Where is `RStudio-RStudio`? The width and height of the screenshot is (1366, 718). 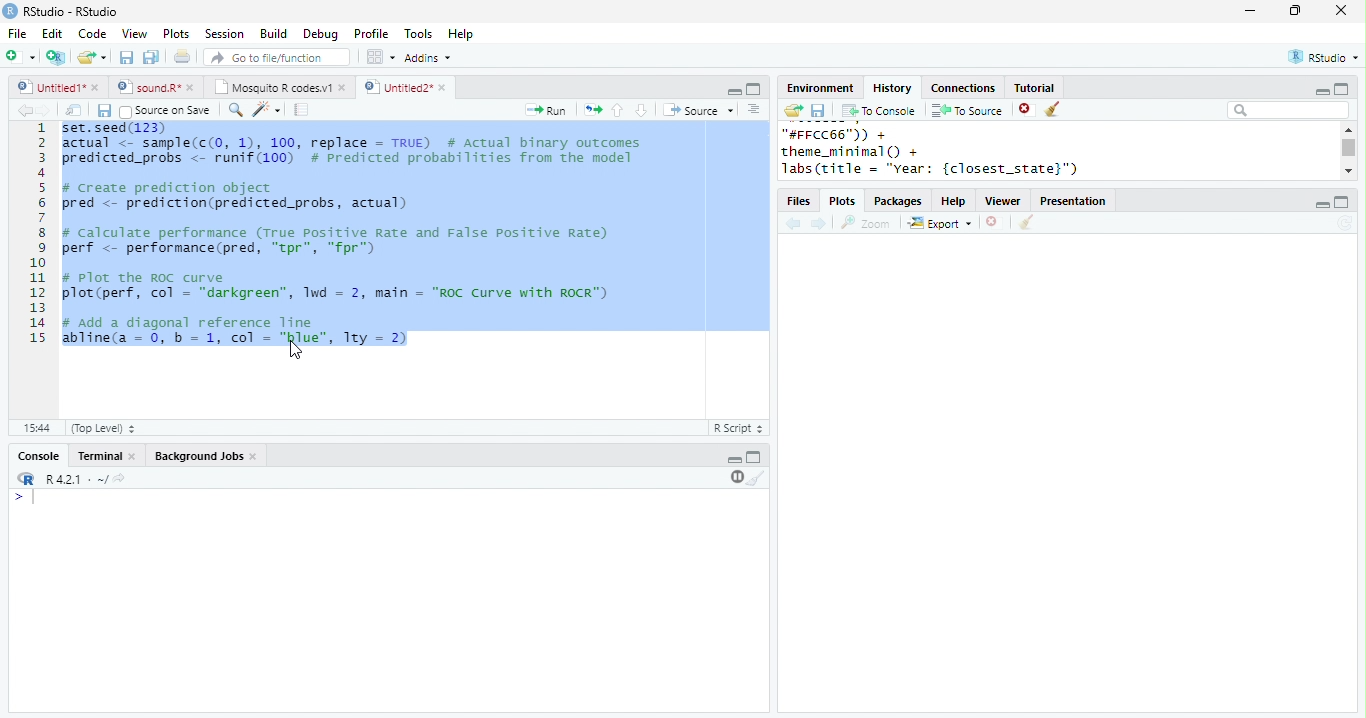 RStudio-RStudio is located at coordinates (75, 12).